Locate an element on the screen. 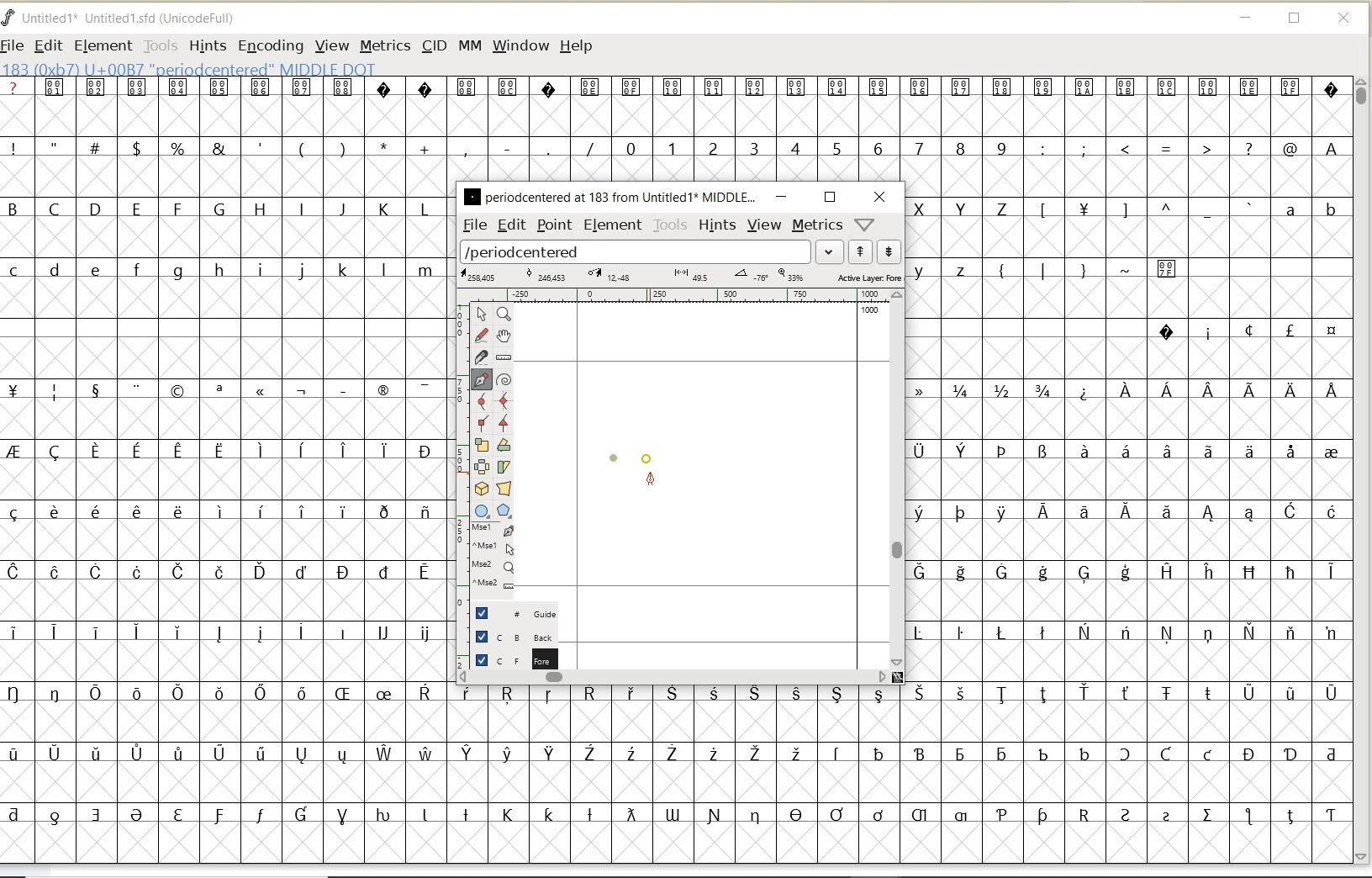  TOOLS is located at coordinates (161, 45).